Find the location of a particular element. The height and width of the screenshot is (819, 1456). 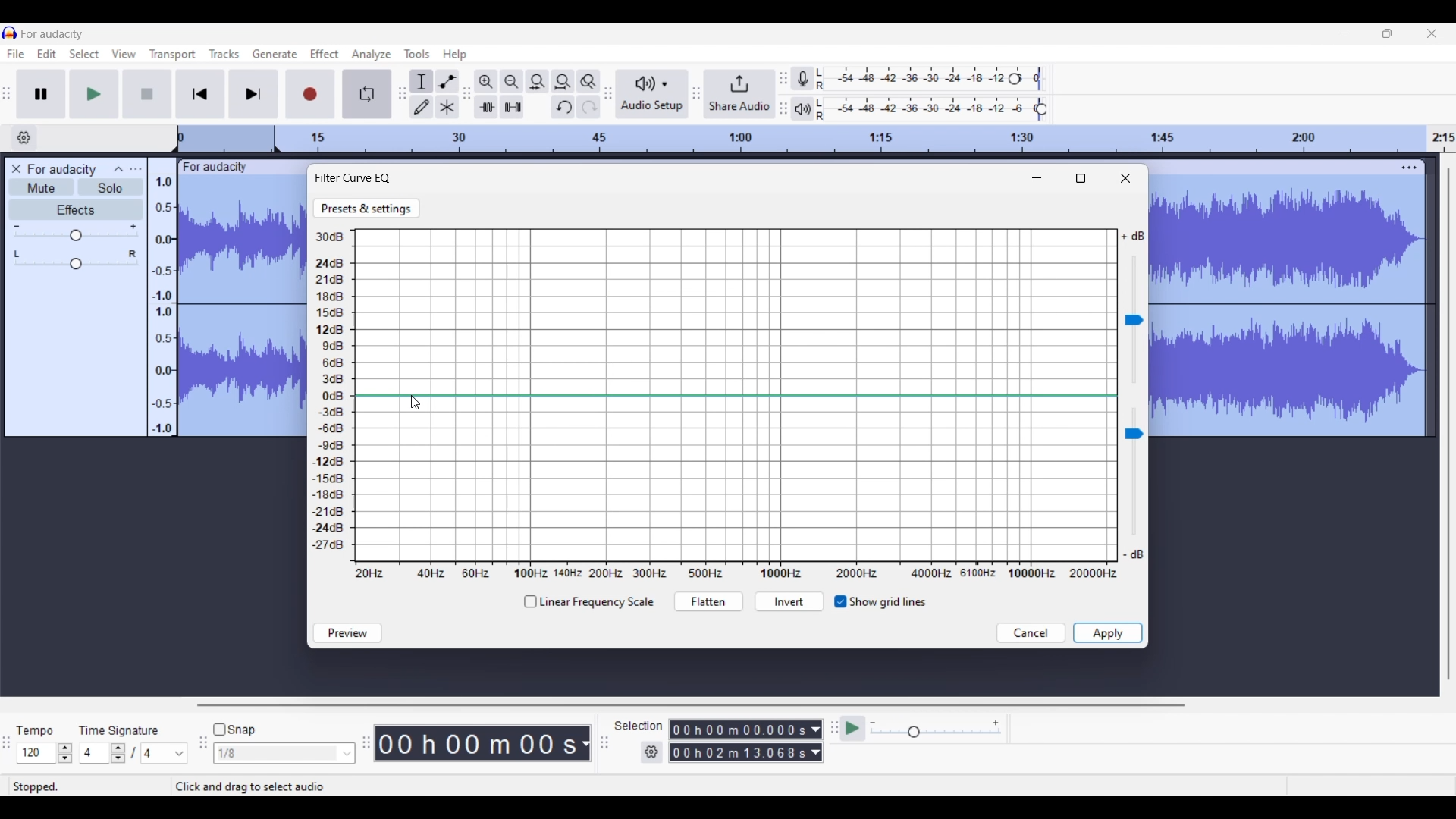

Discard inputs made is located at coordinates (1031, 633).